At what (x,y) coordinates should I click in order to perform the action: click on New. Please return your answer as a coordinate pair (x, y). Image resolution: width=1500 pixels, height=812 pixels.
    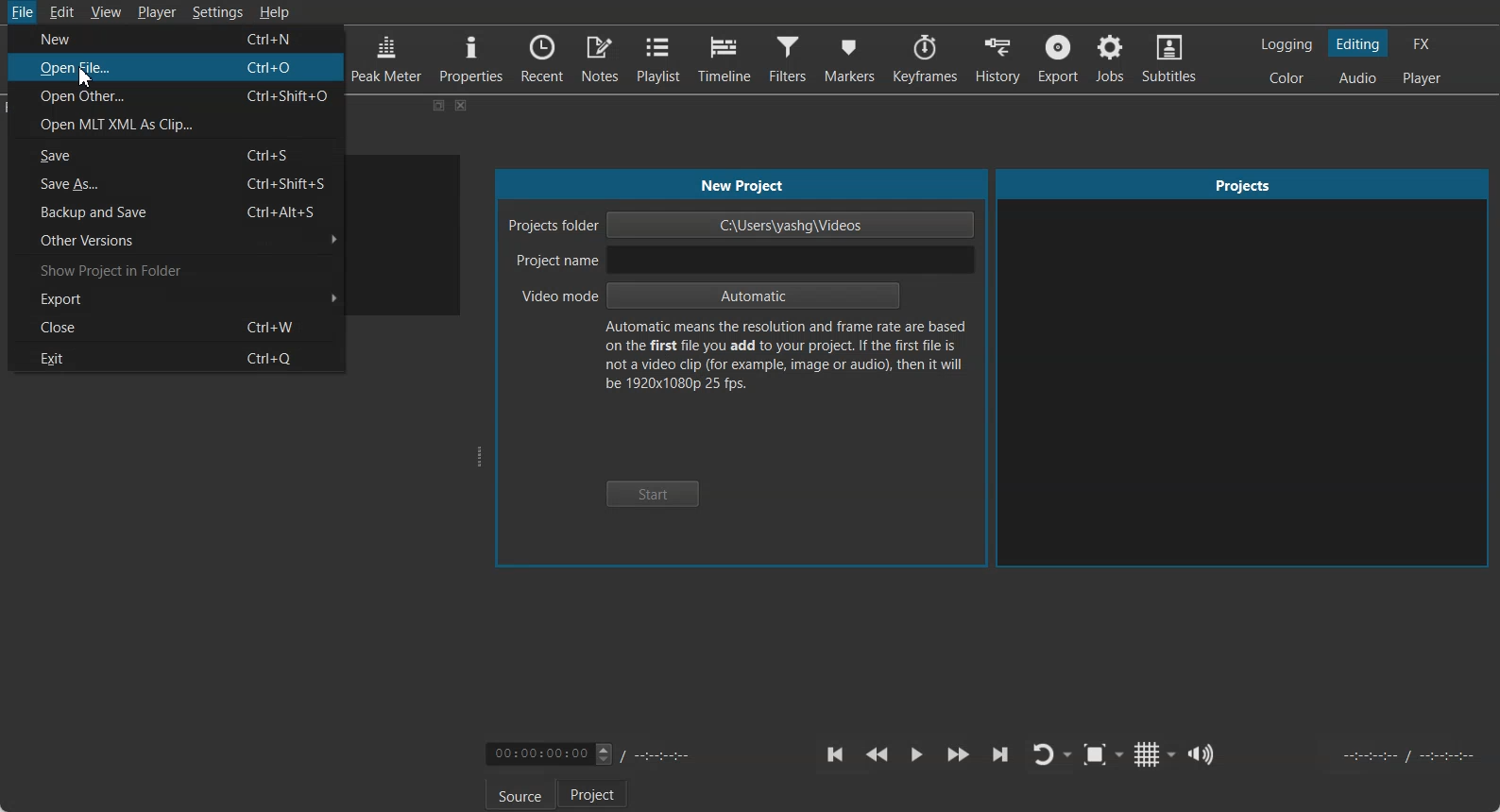
    Looking at the image, I should click on (112, 40).